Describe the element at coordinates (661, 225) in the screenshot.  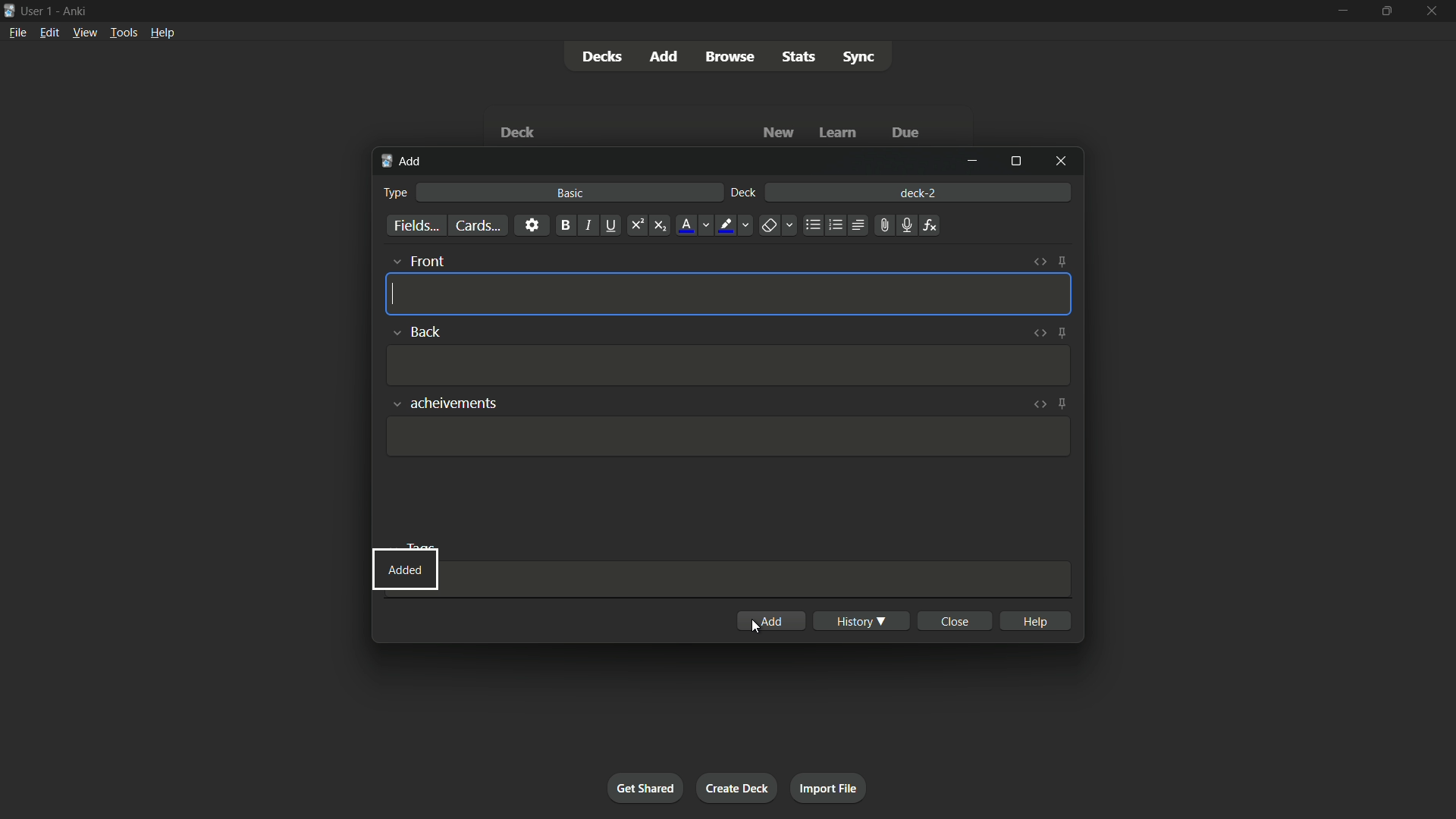
I see `subscript` at that location.